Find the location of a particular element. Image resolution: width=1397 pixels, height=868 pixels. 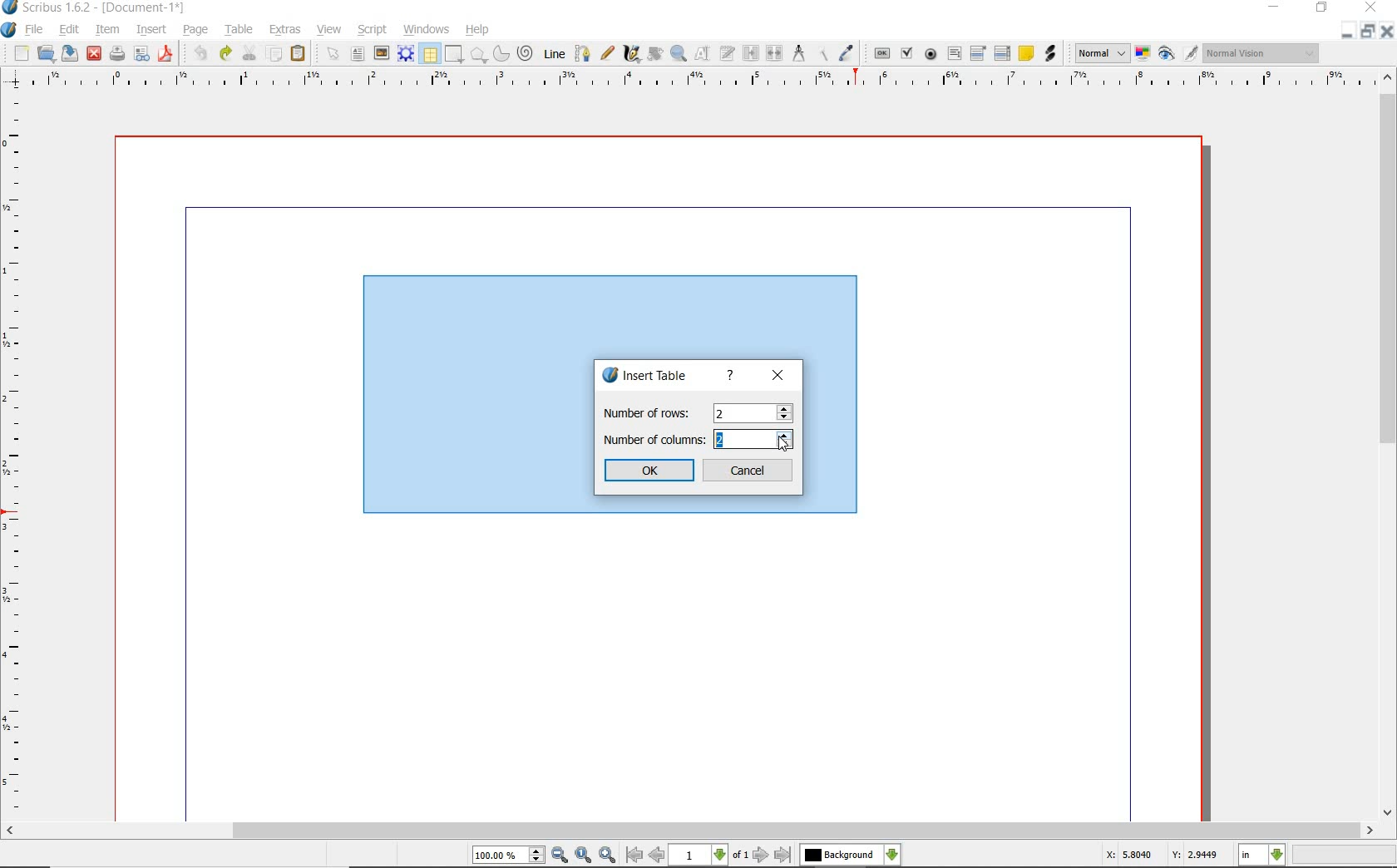

ok is located at coordinates (652, 471).